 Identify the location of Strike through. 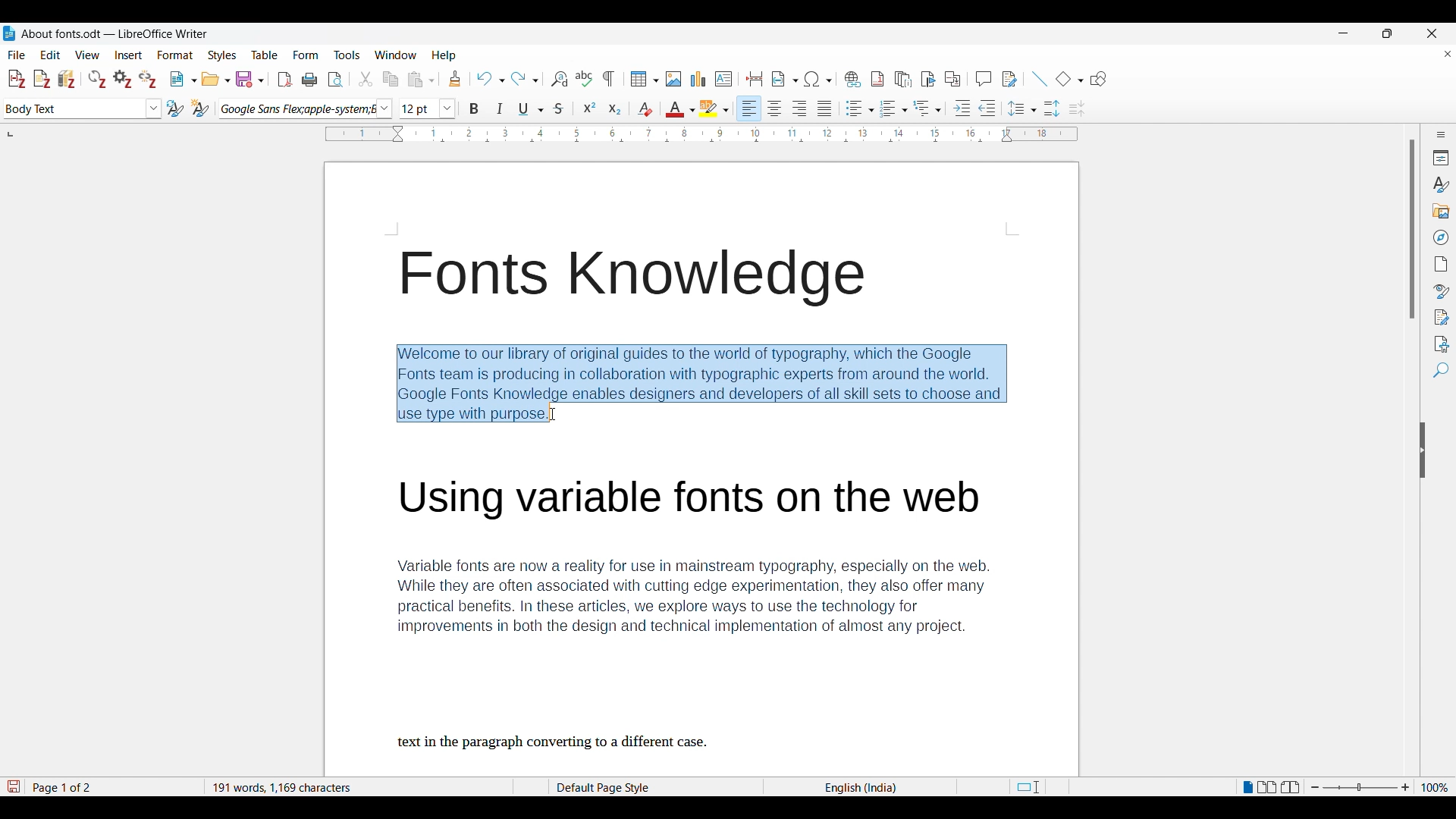
(560, 108).